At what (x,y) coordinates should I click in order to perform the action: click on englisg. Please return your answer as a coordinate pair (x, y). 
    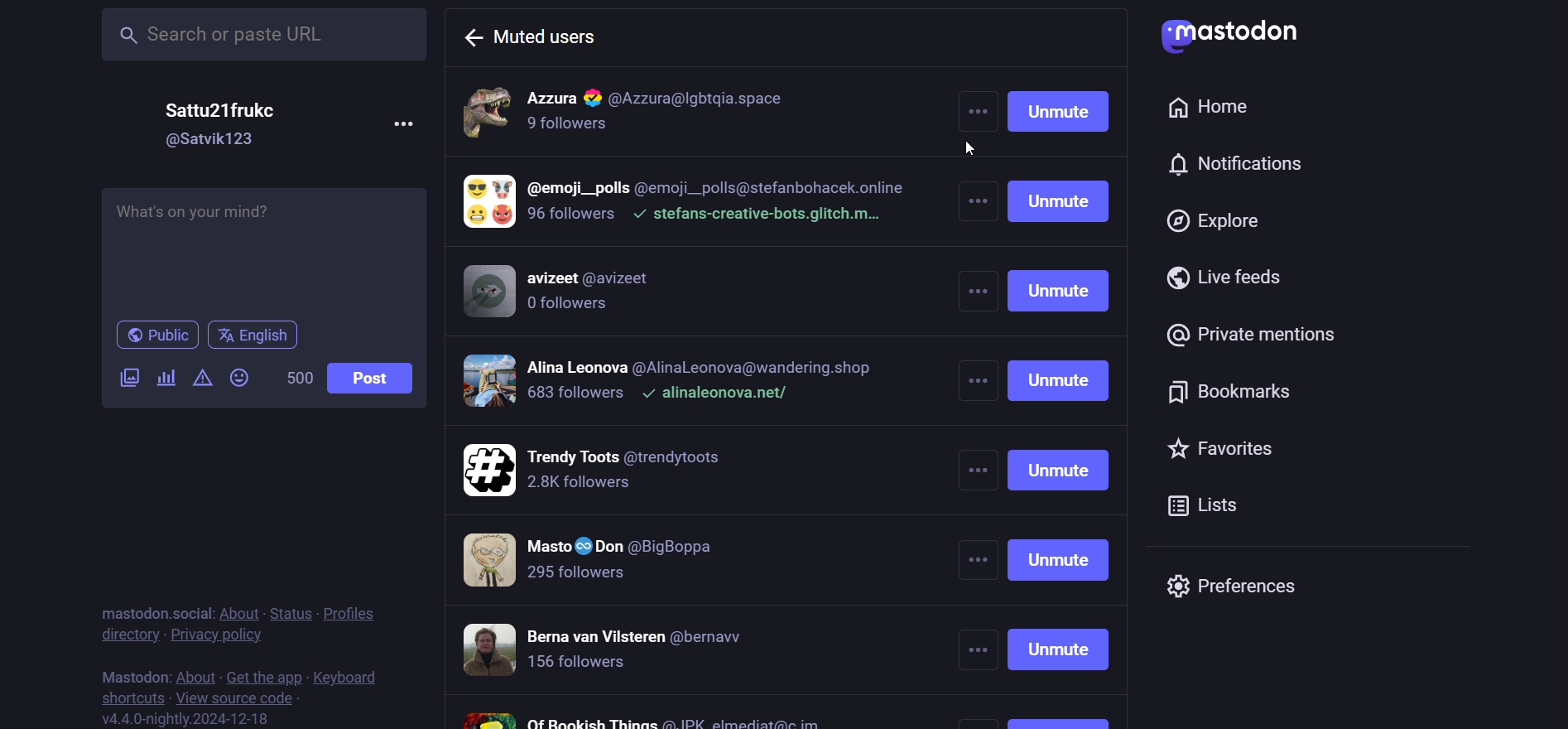
    Looking at the image, I should click on (257, 336).